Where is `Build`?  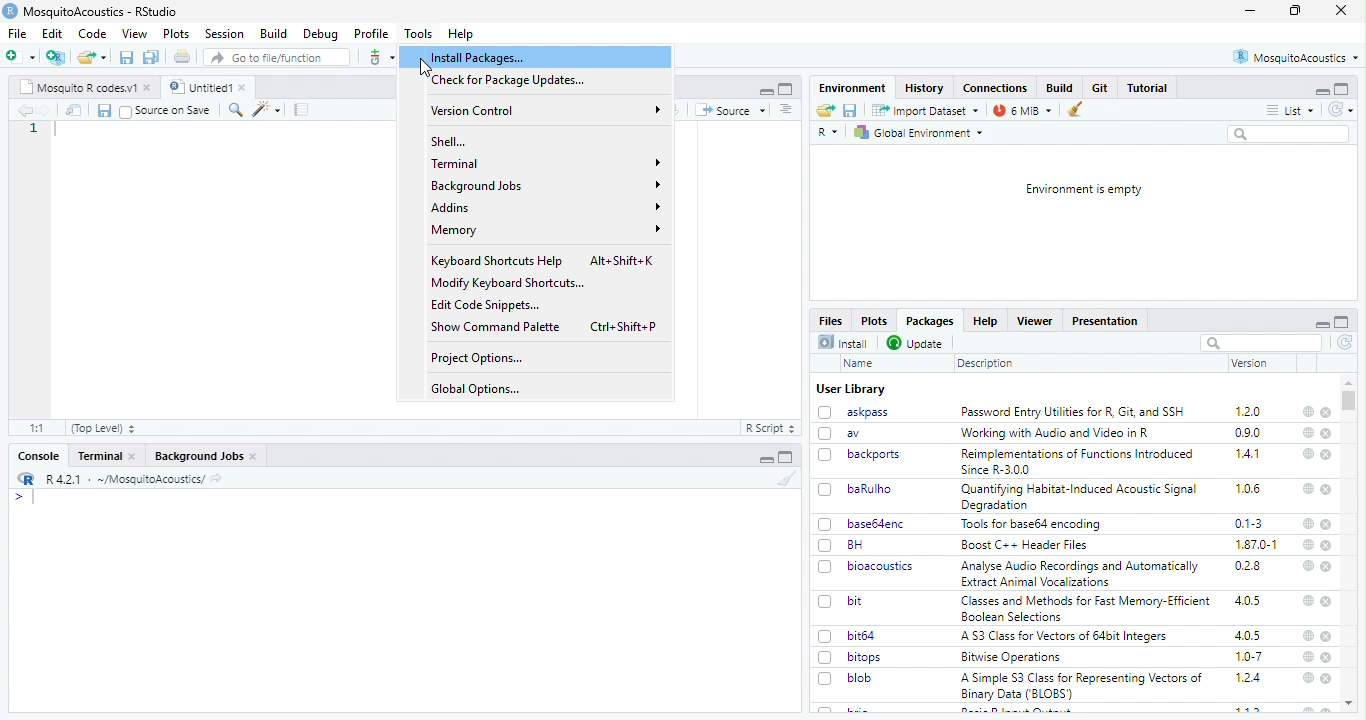
Build is located at coordinates (274, 34).